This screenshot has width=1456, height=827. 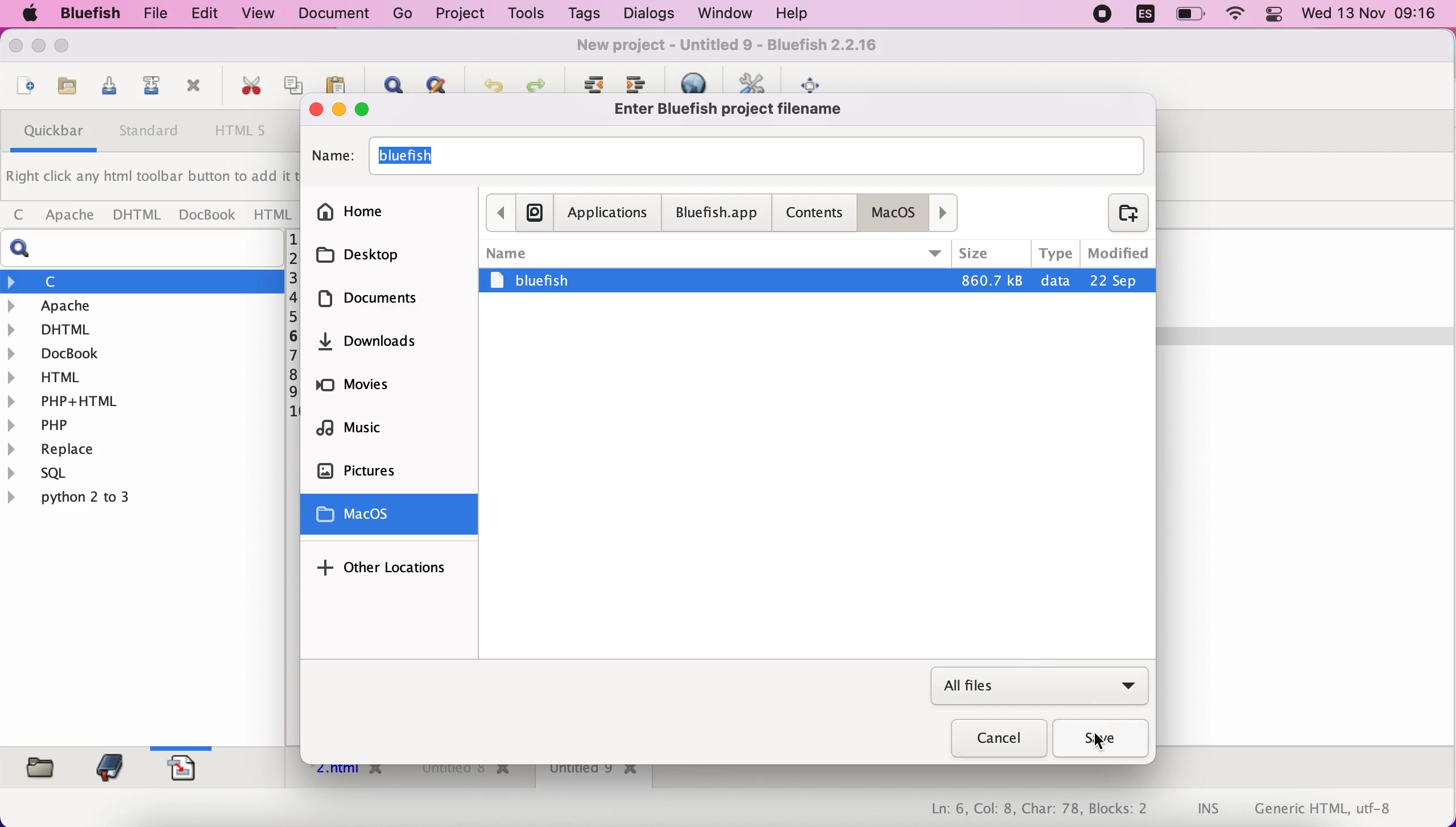 What do you see at coordinates (700, 81) in the screenshot?
I see `preview in browser` at bounding box center [700, 81].